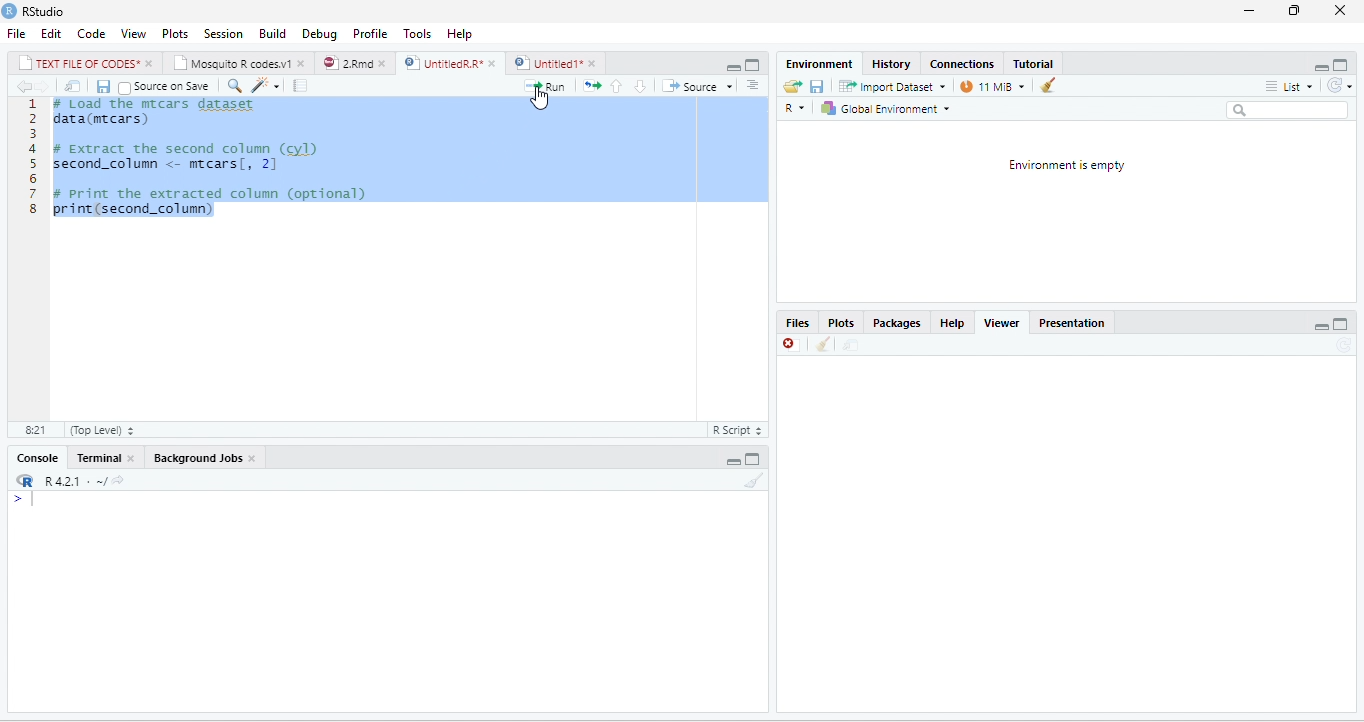  Describe the element at coordinates (233, 85) in the screenshot. I see `find/replace` at that location.